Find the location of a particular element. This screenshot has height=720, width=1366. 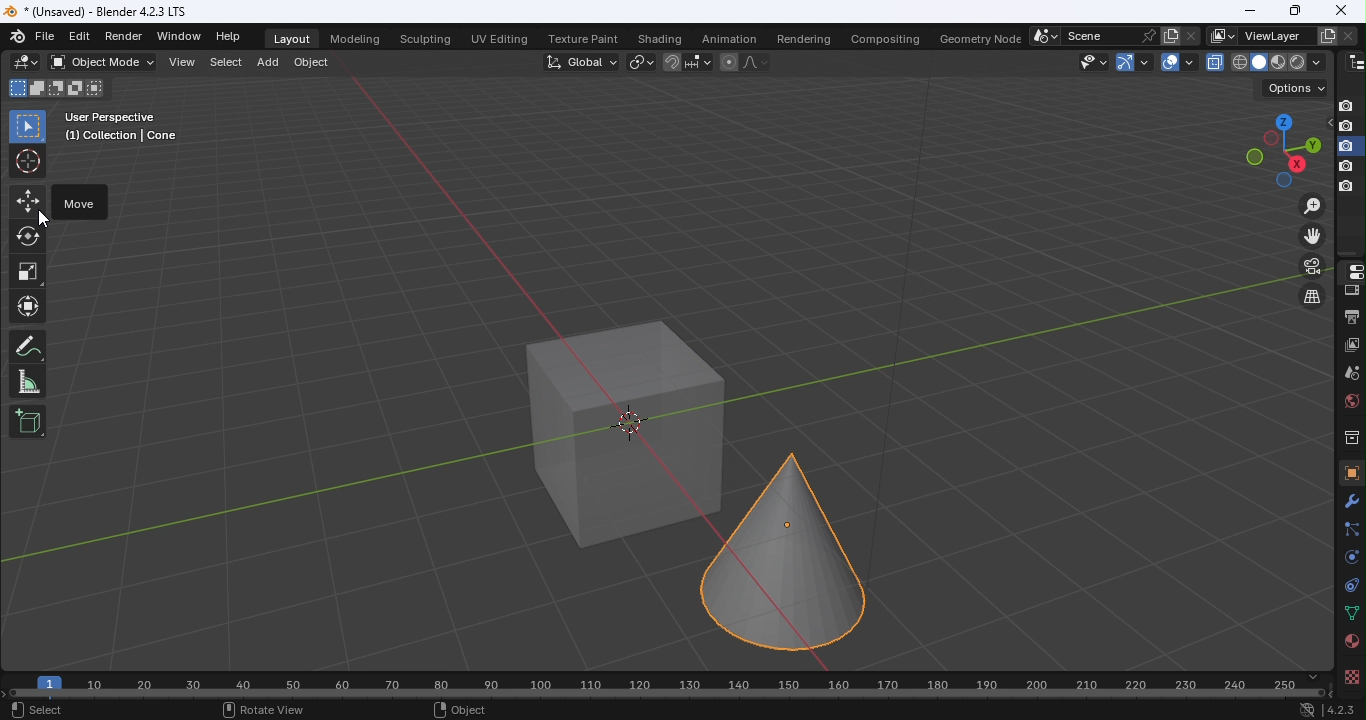

Measurement is located at coordinates (28, 383).